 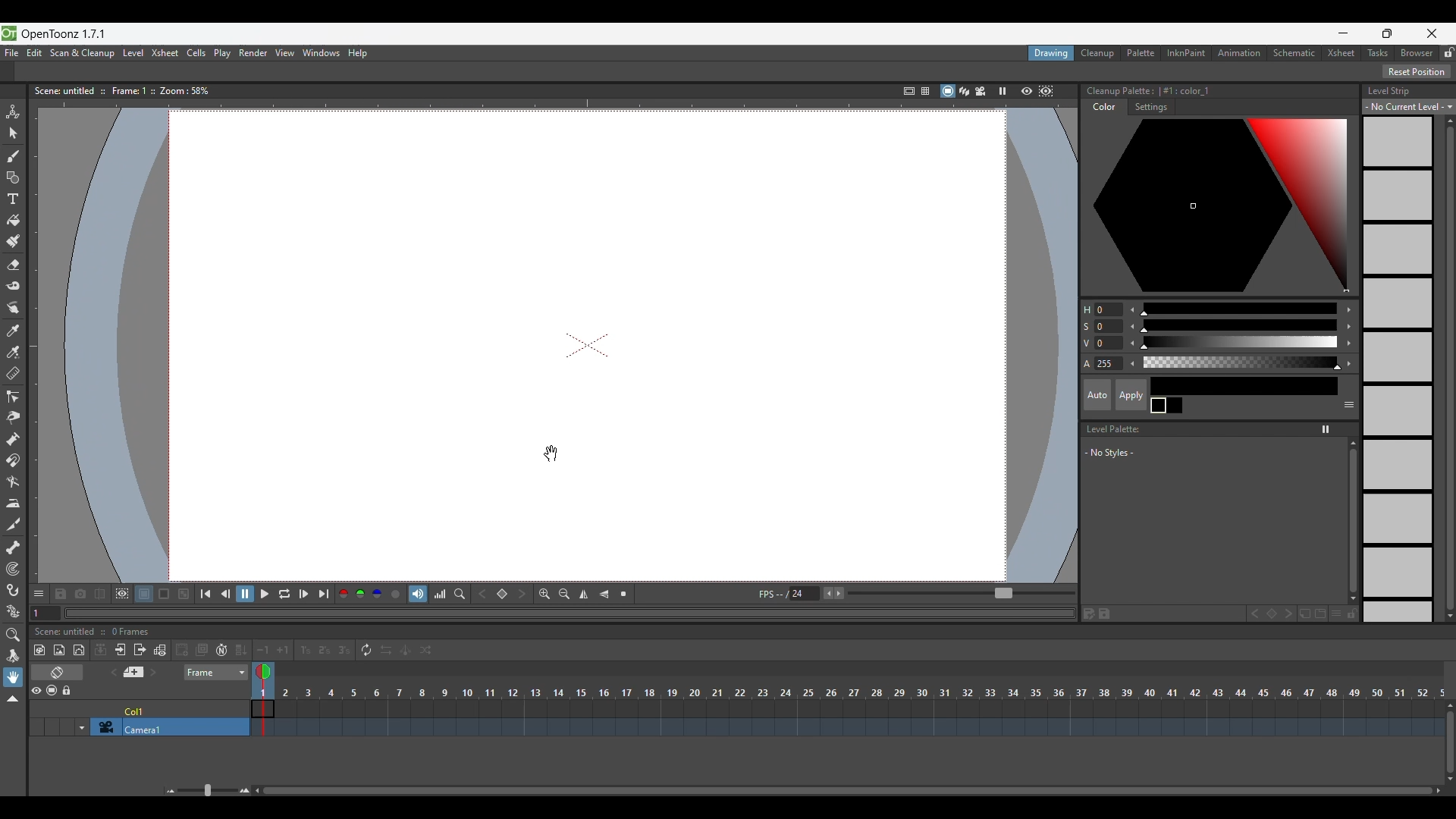 What do you see at coordinates (847, 691) in the screenshot?
I see `Frames` at bounding box center [847, 691].